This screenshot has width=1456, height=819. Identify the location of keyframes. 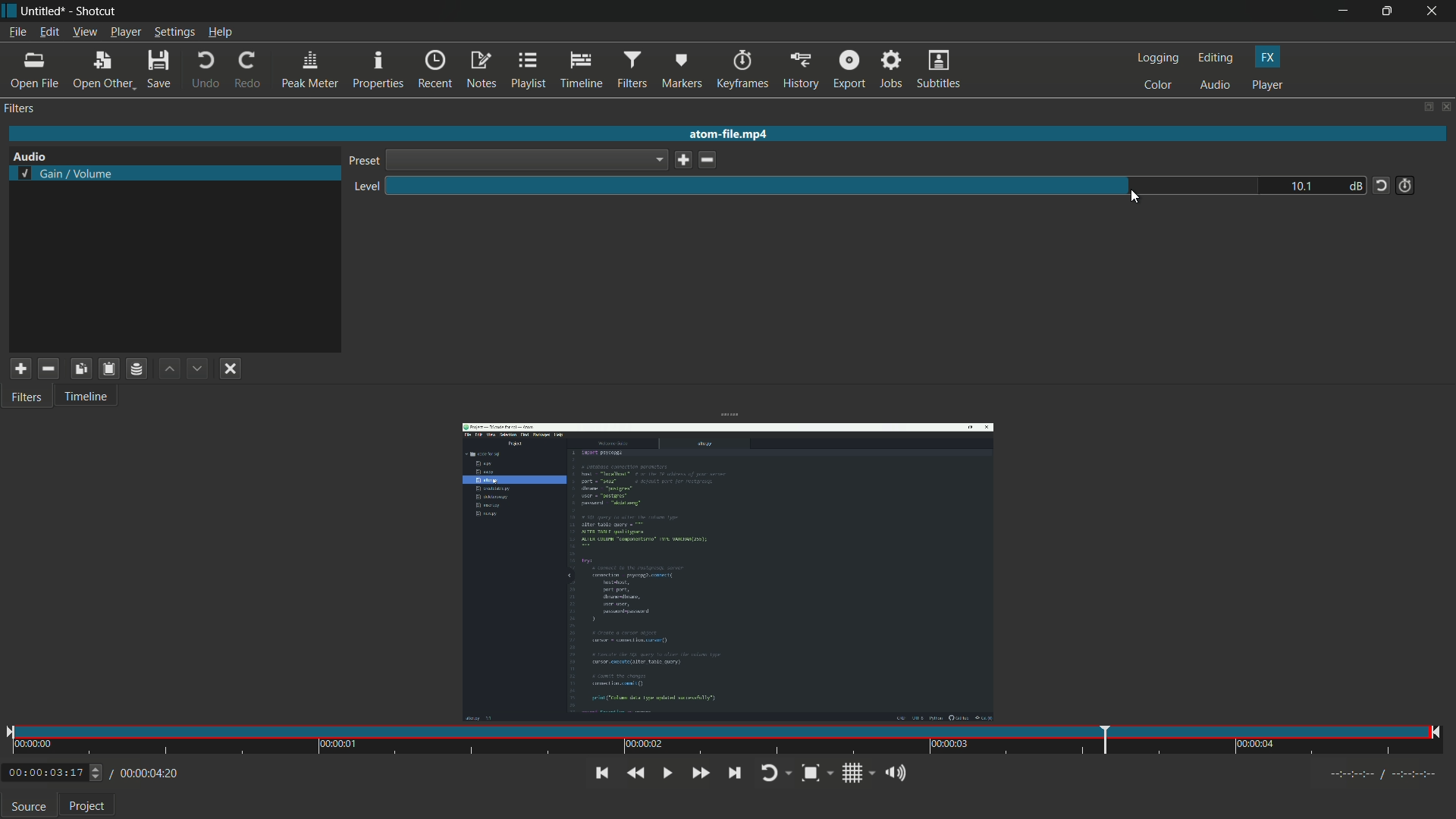
(741, 70).